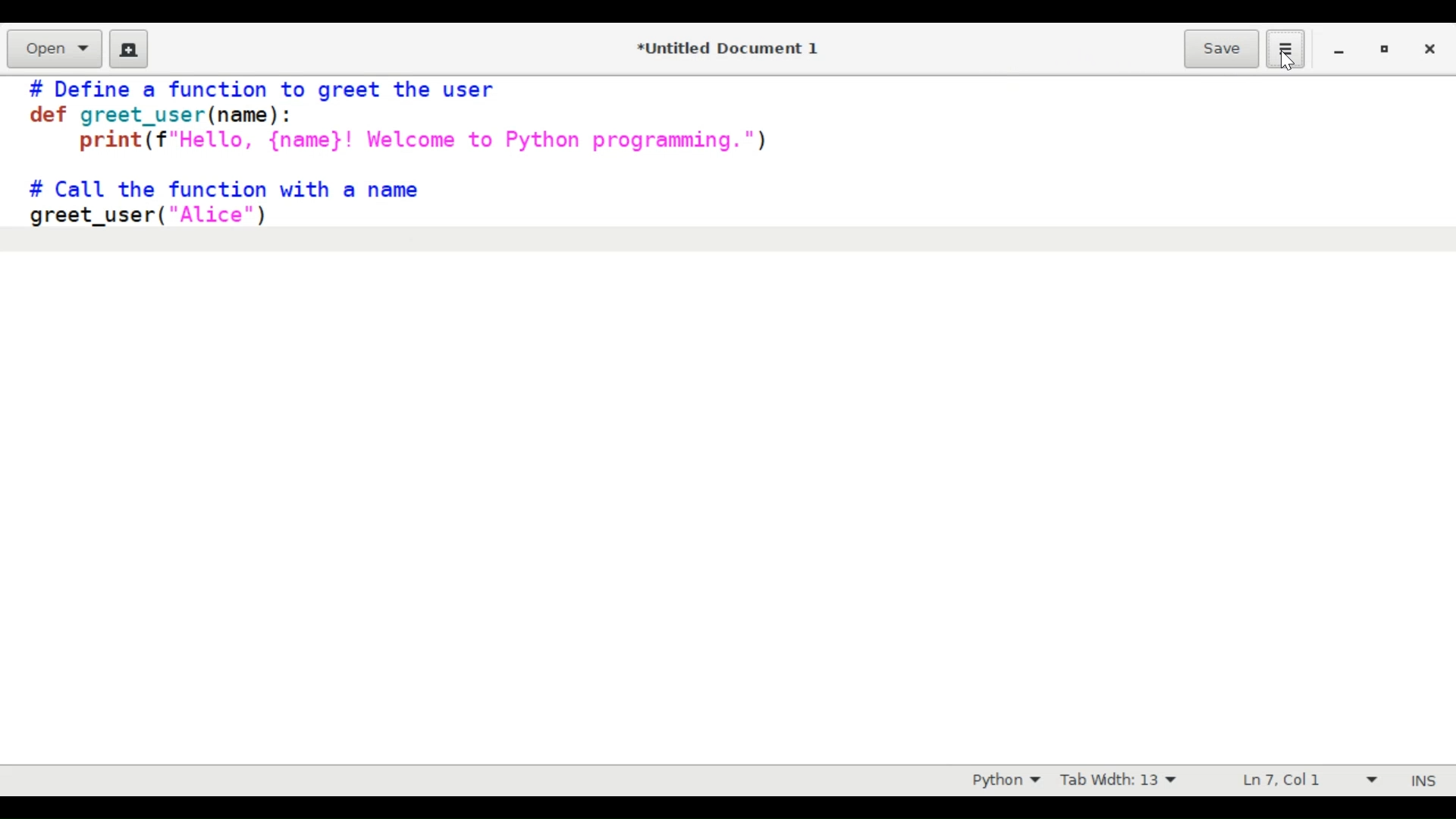 The image size is (1456, 819). Describe the element at coordinates (54, 49) in the screenshot. I see `Open` at that location.